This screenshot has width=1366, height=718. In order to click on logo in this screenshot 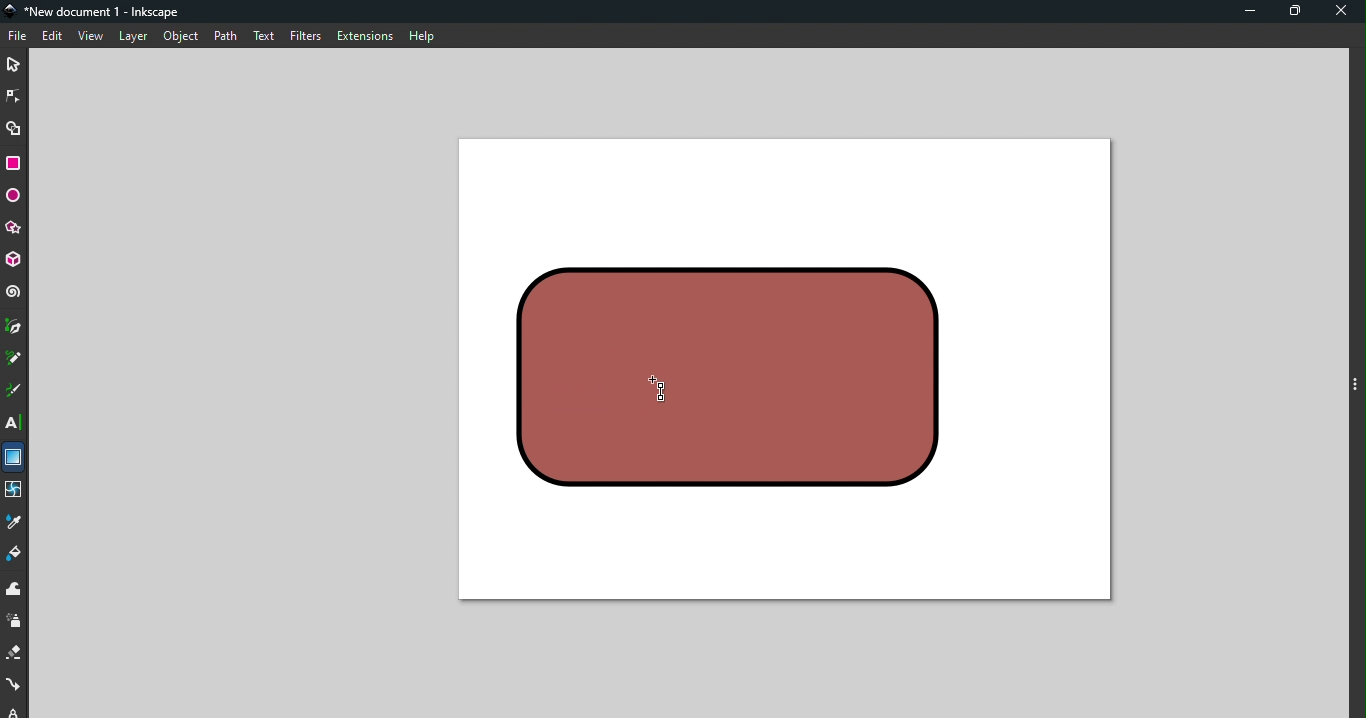, I will do `click(14, 12)`.